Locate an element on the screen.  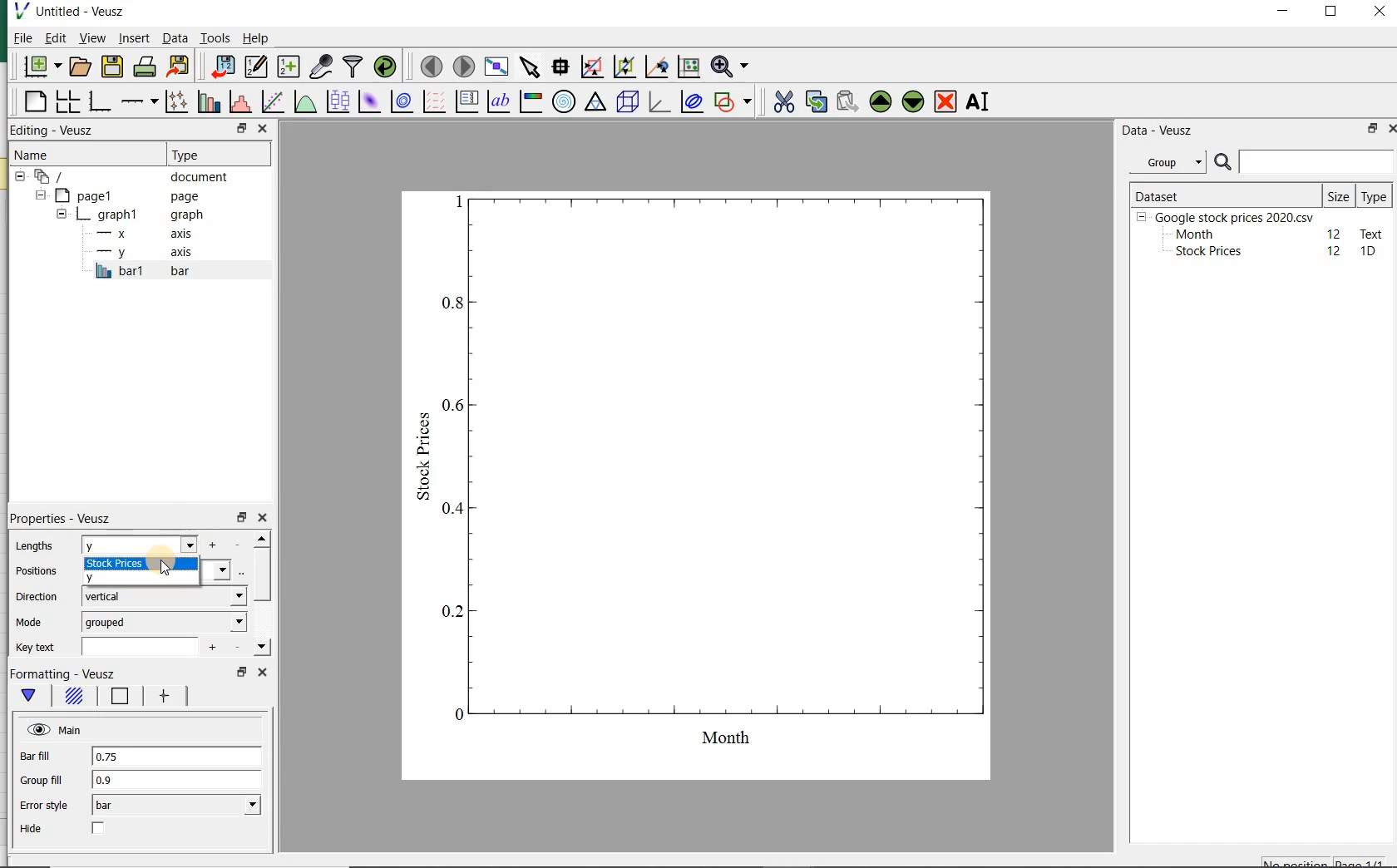
move the selected widget down is located at coordinates (913, 101).